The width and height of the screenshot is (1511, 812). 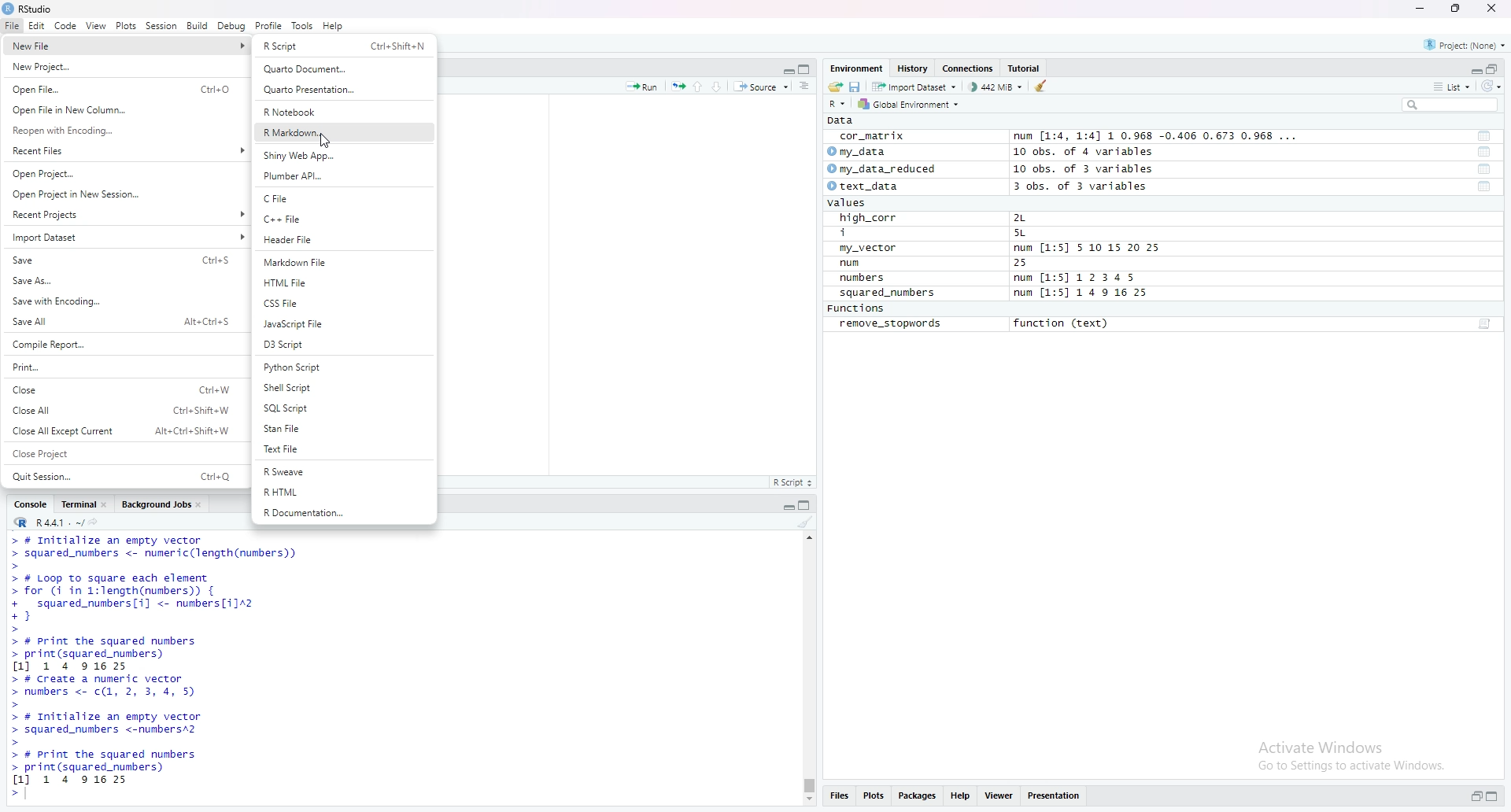 I want to click on 2L, so click(x=1040, y=218).